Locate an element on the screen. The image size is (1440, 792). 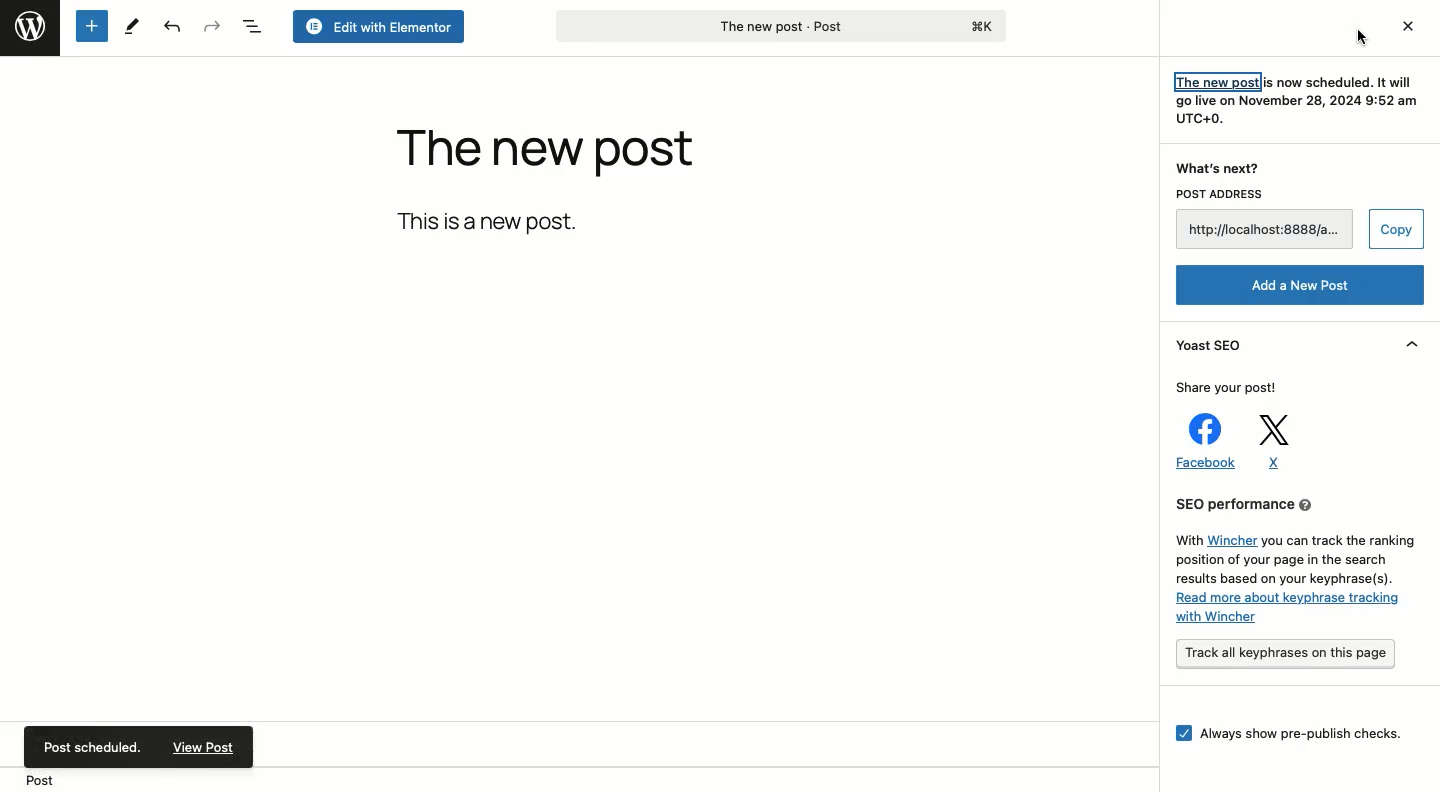
Redo is located at coordinates (213, 25).